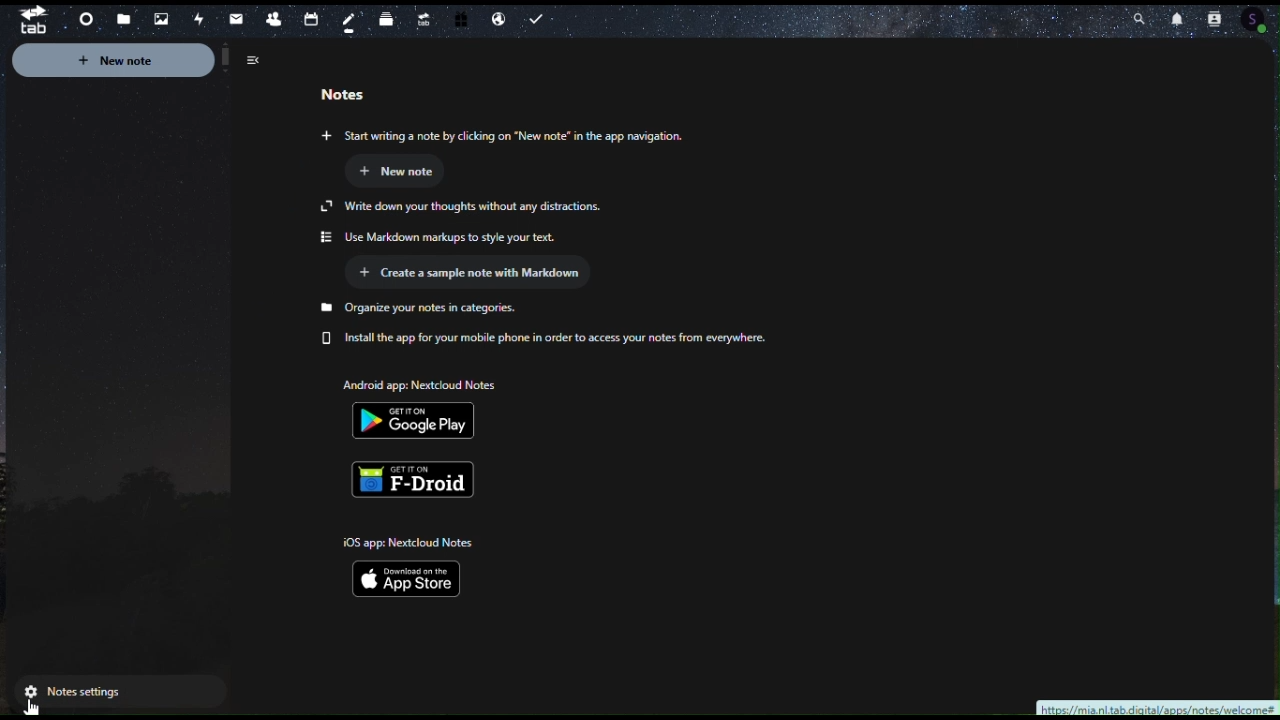 The image size is (1280, 720). Describe the element at coordinates (583, 136) in the screenshot. I see `Start writing note` at that location.